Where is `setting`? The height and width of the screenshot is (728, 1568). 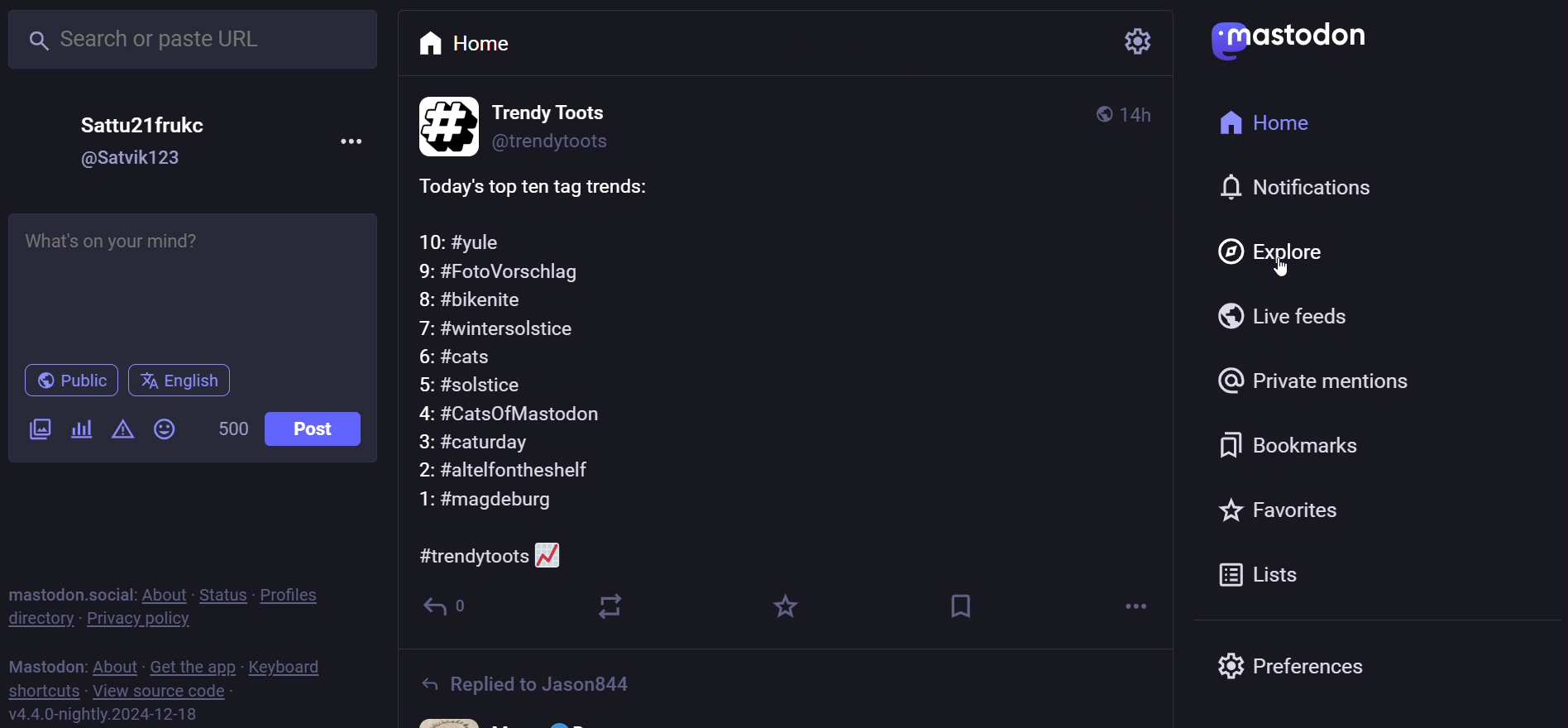
setting is located at coordinates (1138, 42).